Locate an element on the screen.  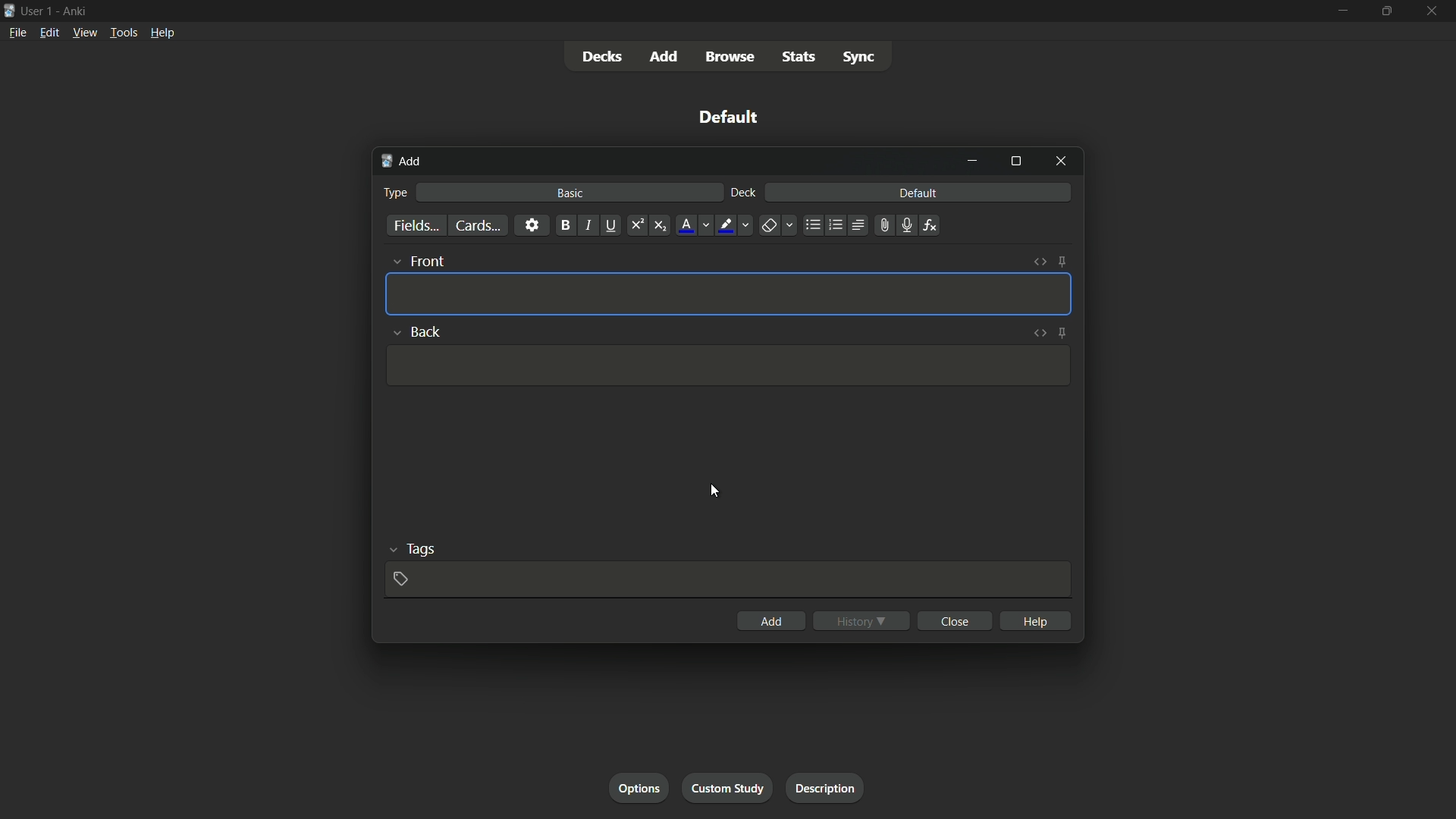
remove formatting is located at coordinates (776, 225).